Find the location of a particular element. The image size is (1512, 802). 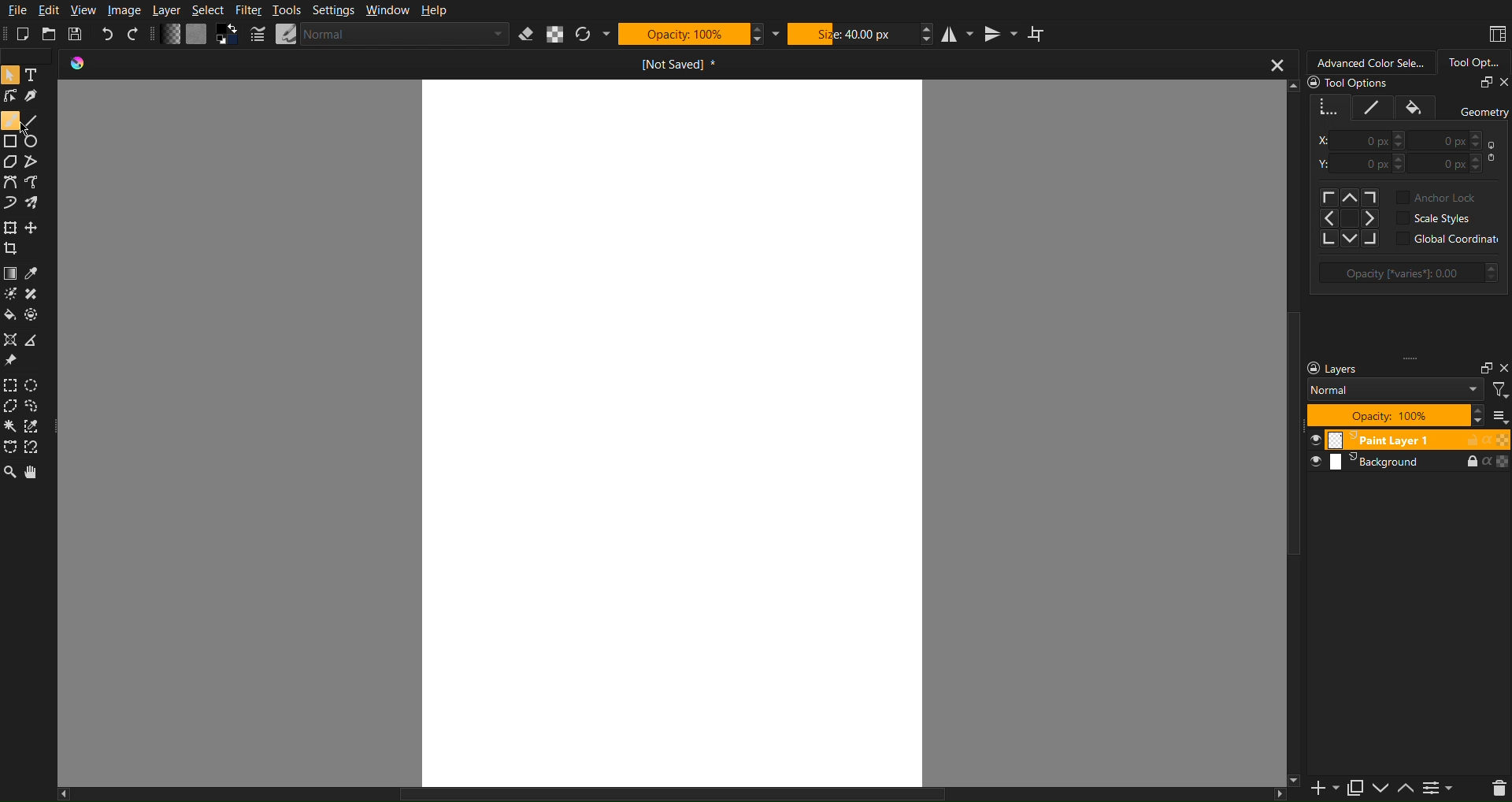

Circle is located at coordinates (35, 142).